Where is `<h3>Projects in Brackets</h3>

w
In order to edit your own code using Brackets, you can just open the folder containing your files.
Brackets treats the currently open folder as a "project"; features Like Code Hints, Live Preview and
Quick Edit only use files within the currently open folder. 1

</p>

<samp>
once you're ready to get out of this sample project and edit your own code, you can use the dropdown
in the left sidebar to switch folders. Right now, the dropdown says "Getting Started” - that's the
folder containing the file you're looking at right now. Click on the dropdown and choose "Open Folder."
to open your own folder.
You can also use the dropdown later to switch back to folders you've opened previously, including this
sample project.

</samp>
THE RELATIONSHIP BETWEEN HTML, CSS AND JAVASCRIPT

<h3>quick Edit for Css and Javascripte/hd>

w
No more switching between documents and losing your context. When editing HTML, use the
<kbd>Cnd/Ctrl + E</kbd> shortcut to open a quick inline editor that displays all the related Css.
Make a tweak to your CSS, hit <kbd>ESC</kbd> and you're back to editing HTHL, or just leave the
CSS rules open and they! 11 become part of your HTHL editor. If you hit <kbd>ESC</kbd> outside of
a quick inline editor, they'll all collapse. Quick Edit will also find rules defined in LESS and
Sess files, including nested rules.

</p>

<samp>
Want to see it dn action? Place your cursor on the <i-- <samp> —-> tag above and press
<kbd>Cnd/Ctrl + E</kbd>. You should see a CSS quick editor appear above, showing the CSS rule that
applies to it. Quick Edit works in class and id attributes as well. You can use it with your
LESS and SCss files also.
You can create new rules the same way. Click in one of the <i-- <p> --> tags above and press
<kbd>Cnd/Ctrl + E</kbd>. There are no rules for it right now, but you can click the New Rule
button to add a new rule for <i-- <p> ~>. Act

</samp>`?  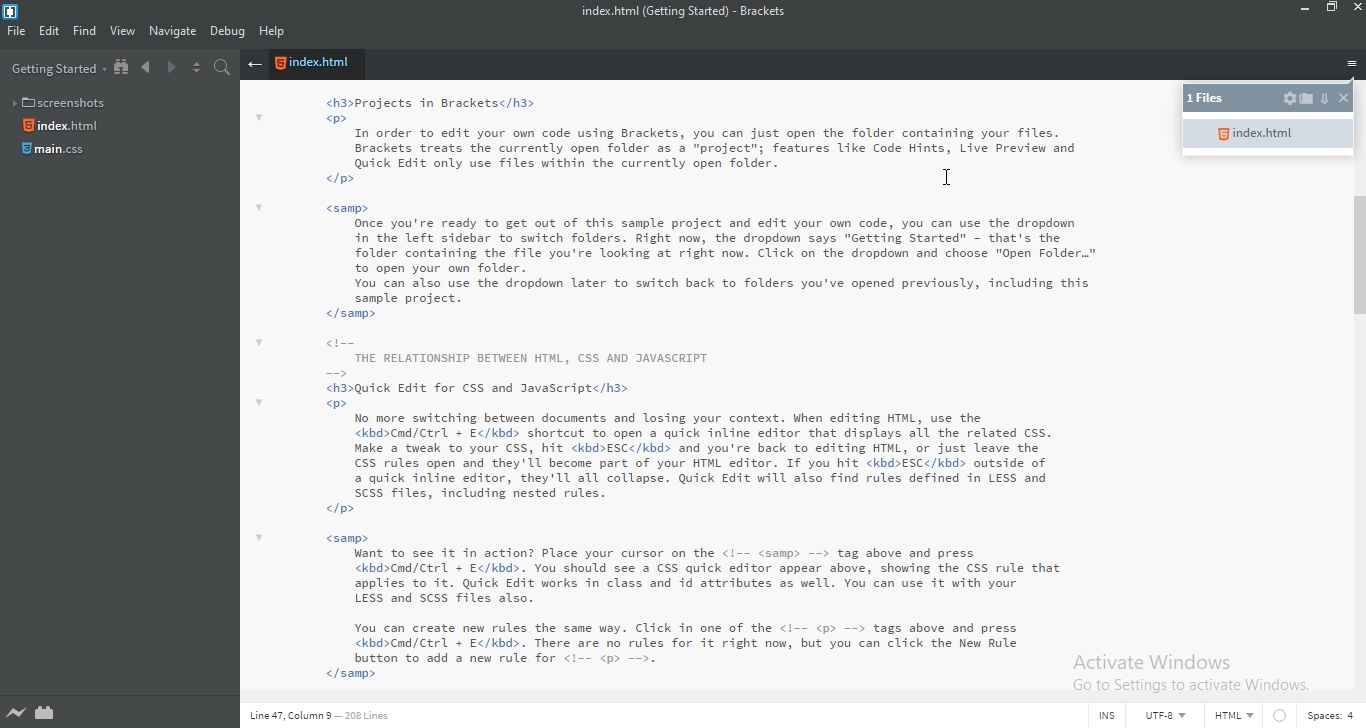
<h3>Projects in Brackets</h3>

w
In order to edit your own code using Brackets, you can just open the folder containing your files.
Brackets treats the currently open folder as a "project"; features Like Code Hints, Live Preview and
Quick Edit only use files within the currently open folder. 1

</p>

<samp>
once you're ready to get out of this sample project and edit your own code, you can use the dropdown
in the left sidebar to switch folders. Right now, the dropdown says "Getting Started” - that's the
folder containing the file you're looking at right now. Click on the dropdown and choose "Open Folder."
to open your own folder.
You can also use the dropdown later to switch back to folders you've opened previously, including this
sample project.

</samp>
THE RELATIONSHIP BETWEEN HTML, CSS AND JAVASCRIPT

<h3>quick Edit for Css and Javascripte/hd>

w
No more switching between documents and losing your context. When editing HTML, use the
<kbd>Cnd/Ctrl + E</kbd> shortcut to open a quick inline editor that displays all the related Css.
Make a tweak to your CSS, hit <kbd>ESC</kbd> and you're back to editing HTHL, or just leave the
CSS rules open and they! 11 become part of your HTHL editor. If you hit <kbd>ESC</kbd> outside of
a quick inline editor, they'll all collapse. Quick Edit will also find rules defined in LESS and
Sess files, including nested rules.

</p>

<samp>
Want to see it dn action? Place your cursor on the <i-- <samp> —-> tag above and press
<kbd>Cnd/Ctrl + E</kbd>. You should see a CSS quick editor appear above, showing the CSS rule that
applies to it. Quick Edit works in class and id attributes as well. You can use it with your
LESS and SCss files also.
You can create new rules the same way. Click in one of the <i-- <p> --> tags above and press
<kbd>Cnd/Ctrl + E</kbd>. There are no rules for it right now, but you can click the New Rule
button to add a new rule for <i-- <p> ~>. Act

</samp> is located at coordinates (712, 390).